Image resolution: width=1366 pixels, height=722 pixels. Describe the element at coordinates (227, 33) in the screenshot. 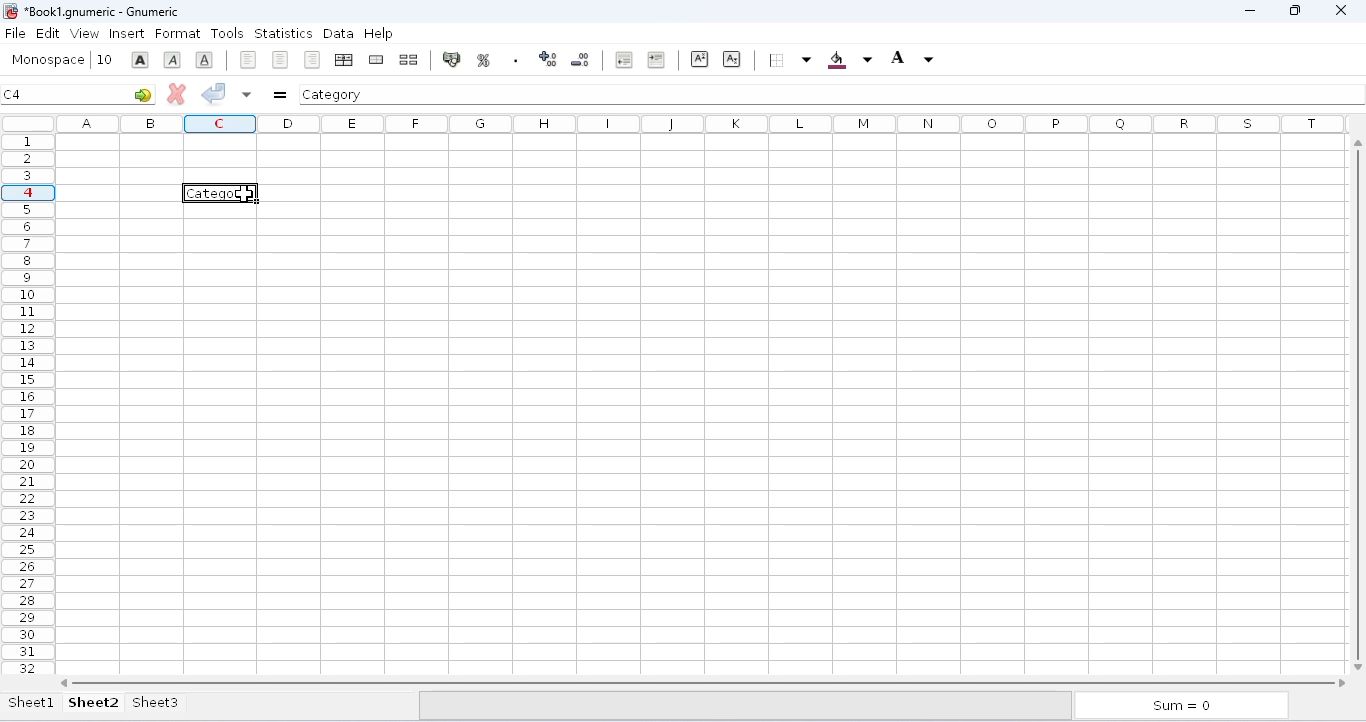

I see `tools` at that location.